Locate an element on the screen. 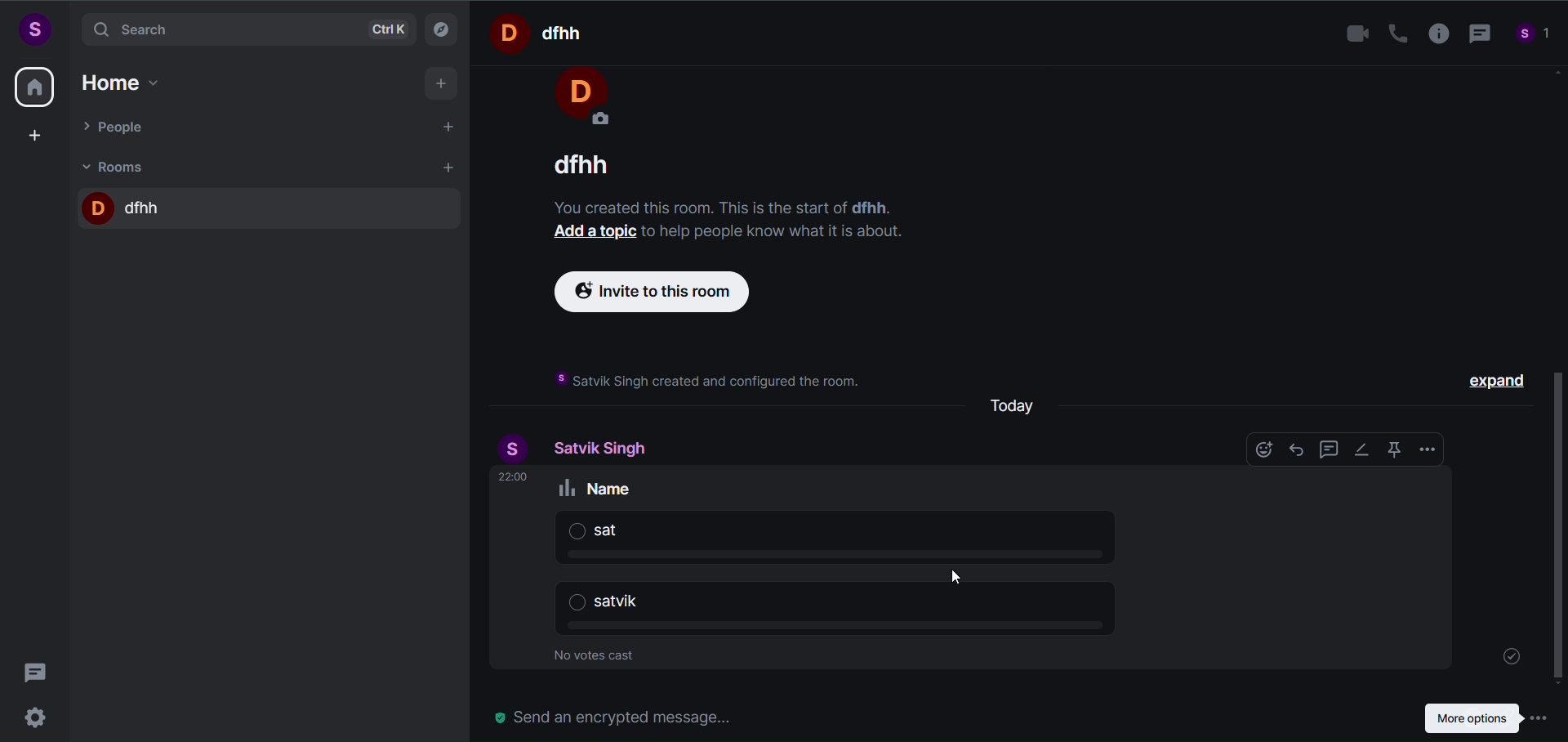 The height and width of the screenshot is (742, 1568). user is located at coordinates (33, 29).